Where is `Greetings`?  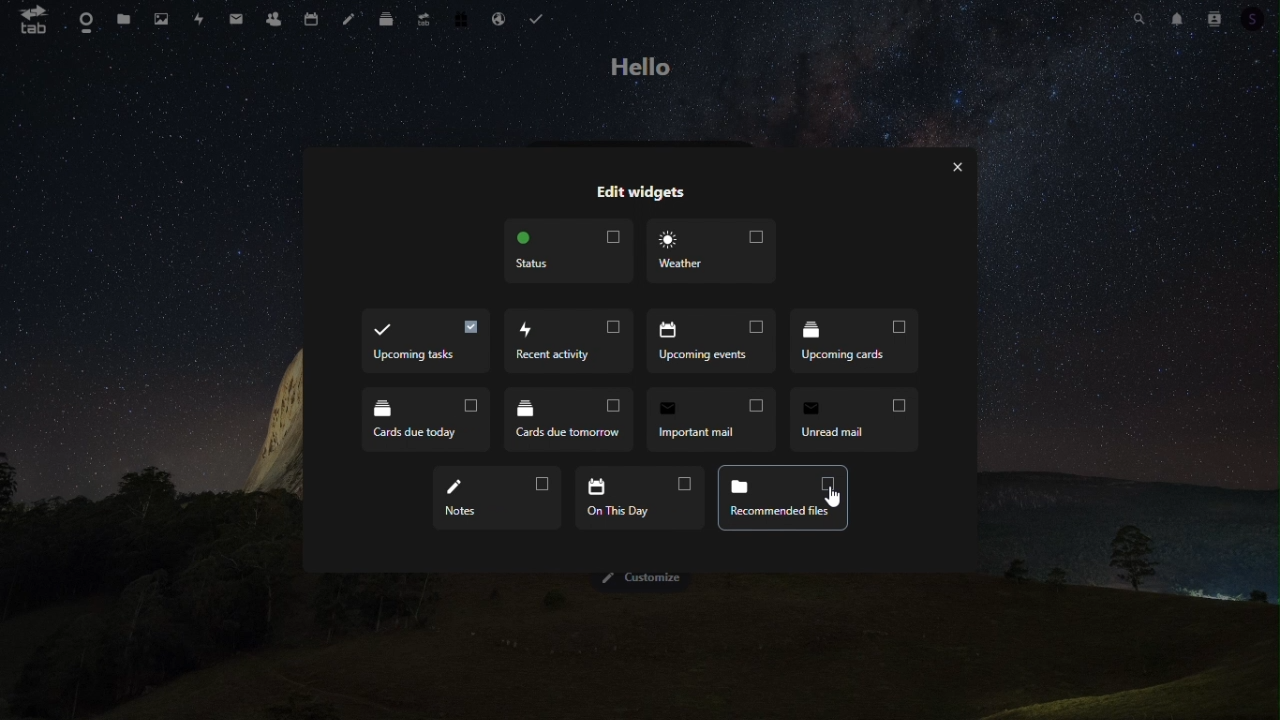 Greetings is located at coordinates (643, 68).